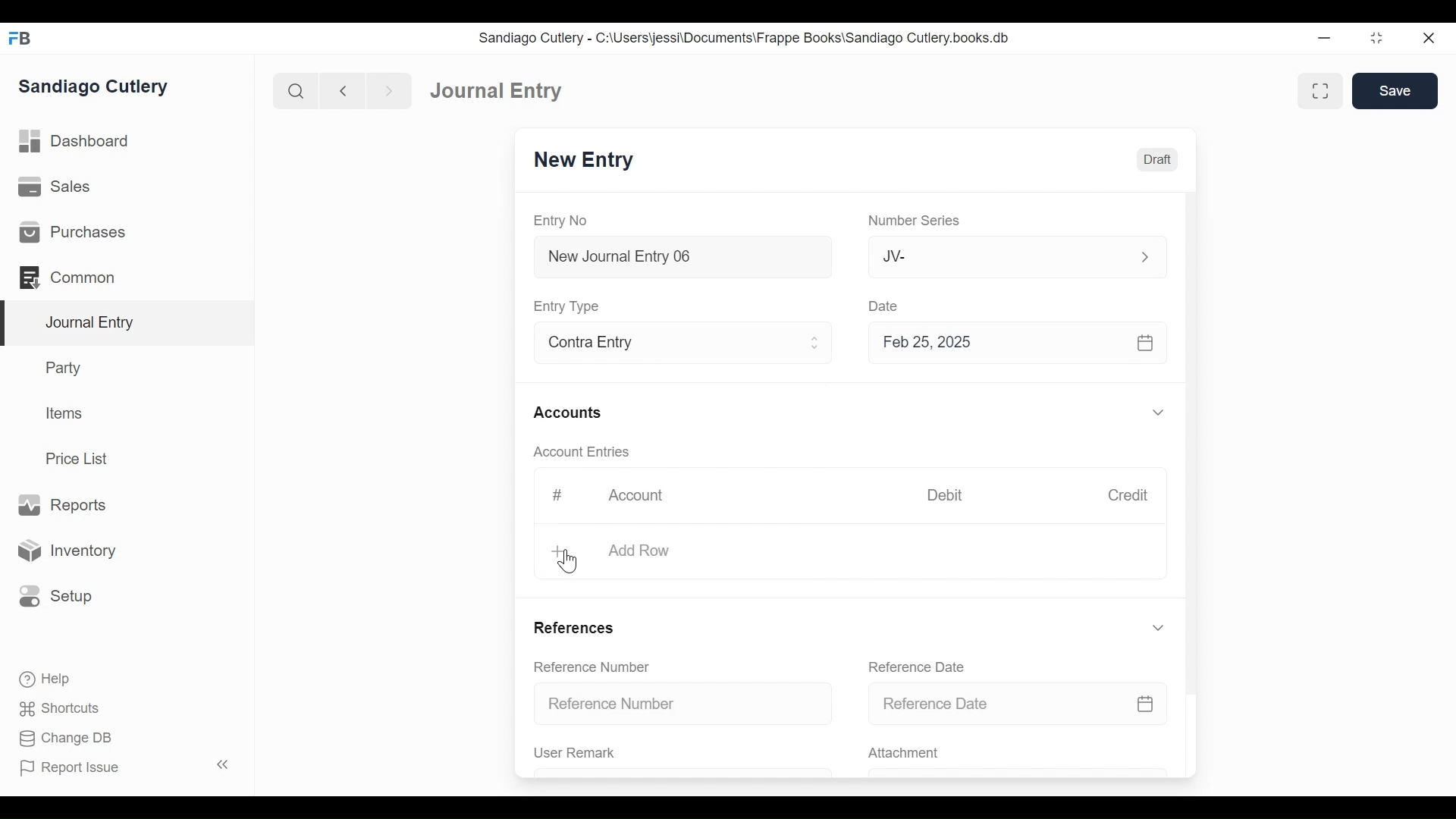 This screenshot has width=1456, height=819. What do you see at coordinates (390, 92) in the screenshot?
I see `Navigate Forward` at bounding box center [390, 92].